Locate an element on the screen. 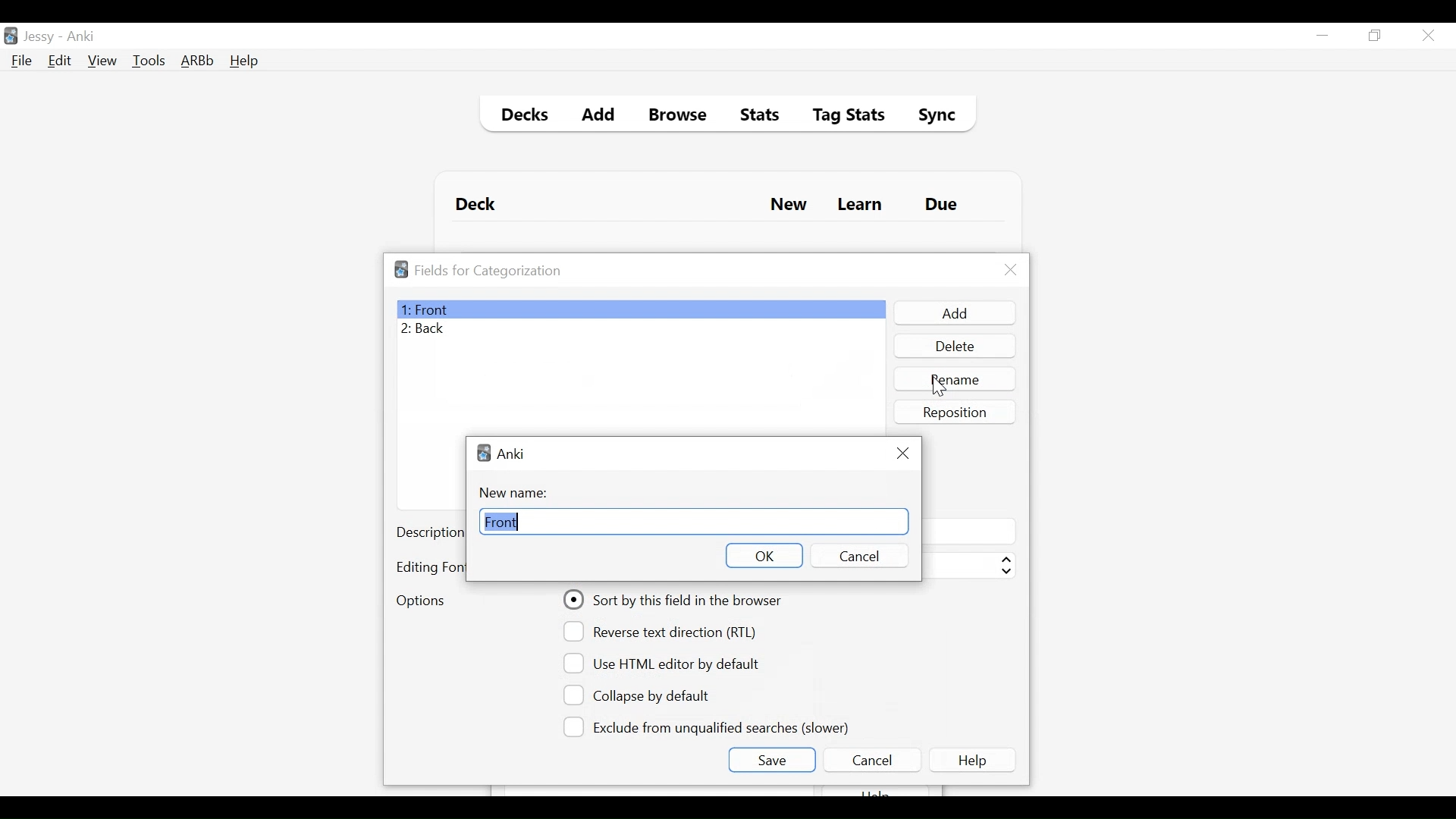  Advanced Review Button bar is located at coordinates (198, 61).